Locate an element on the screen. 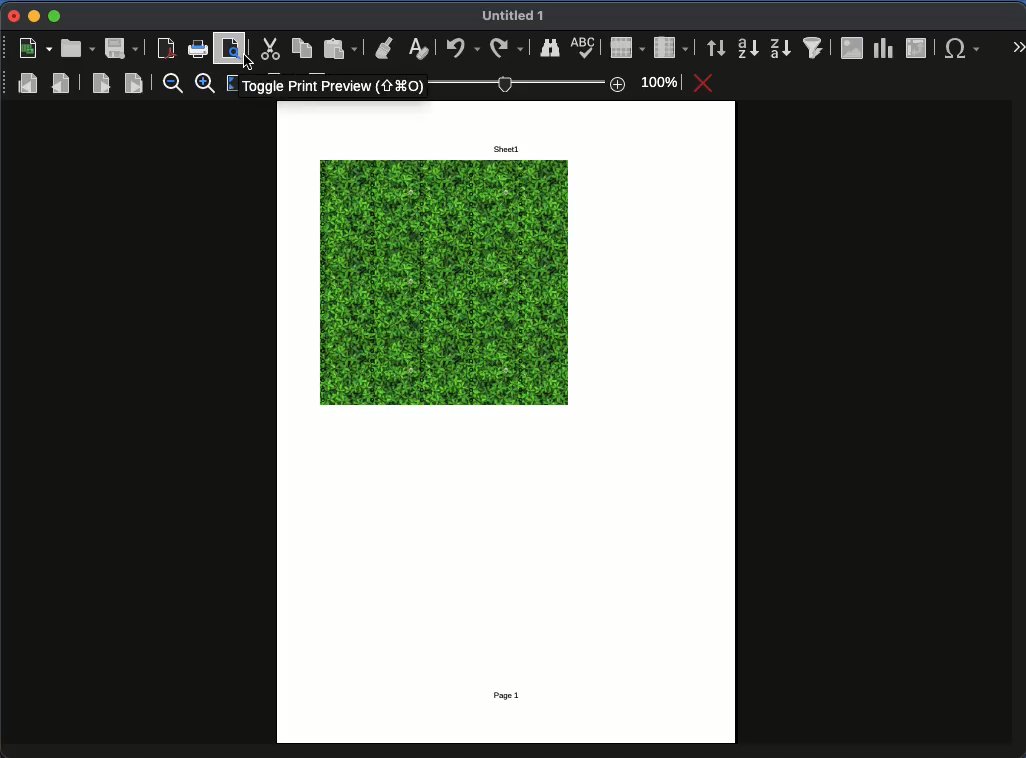  print preview is located at coordinates (233, 47).